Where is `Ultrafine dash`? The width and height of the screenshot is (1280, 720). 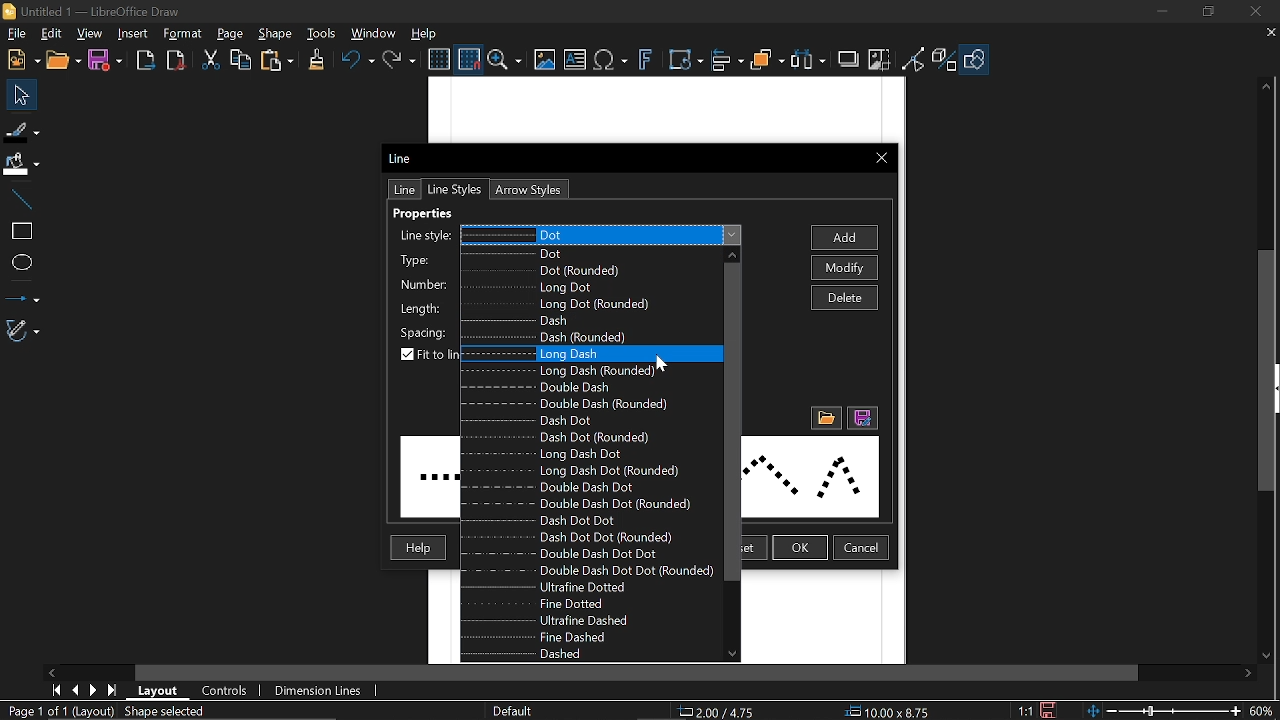 Ultrafine dash is located at coordinates (592, 621).